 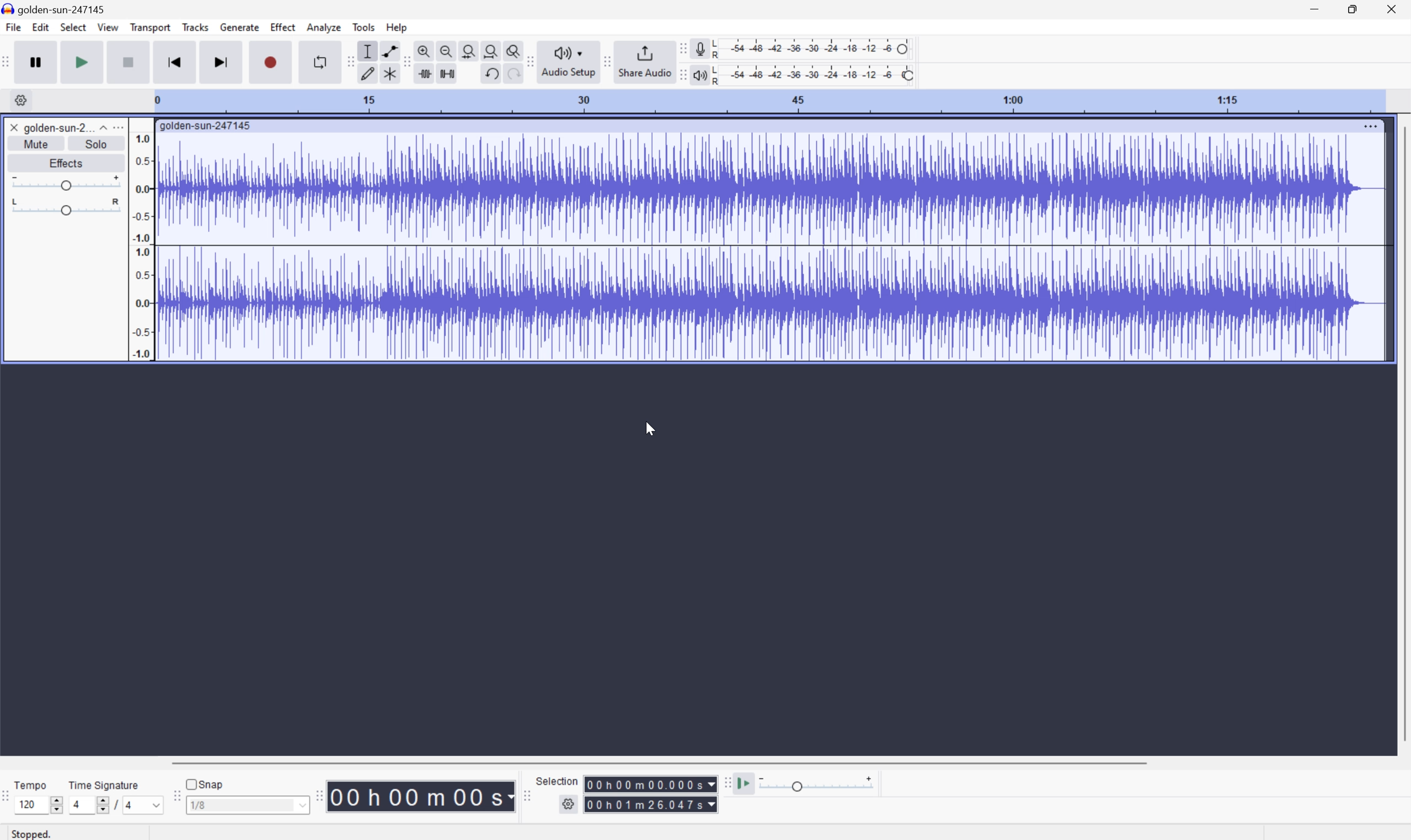 I want to click on 1/8, so click(x=247, y=804).